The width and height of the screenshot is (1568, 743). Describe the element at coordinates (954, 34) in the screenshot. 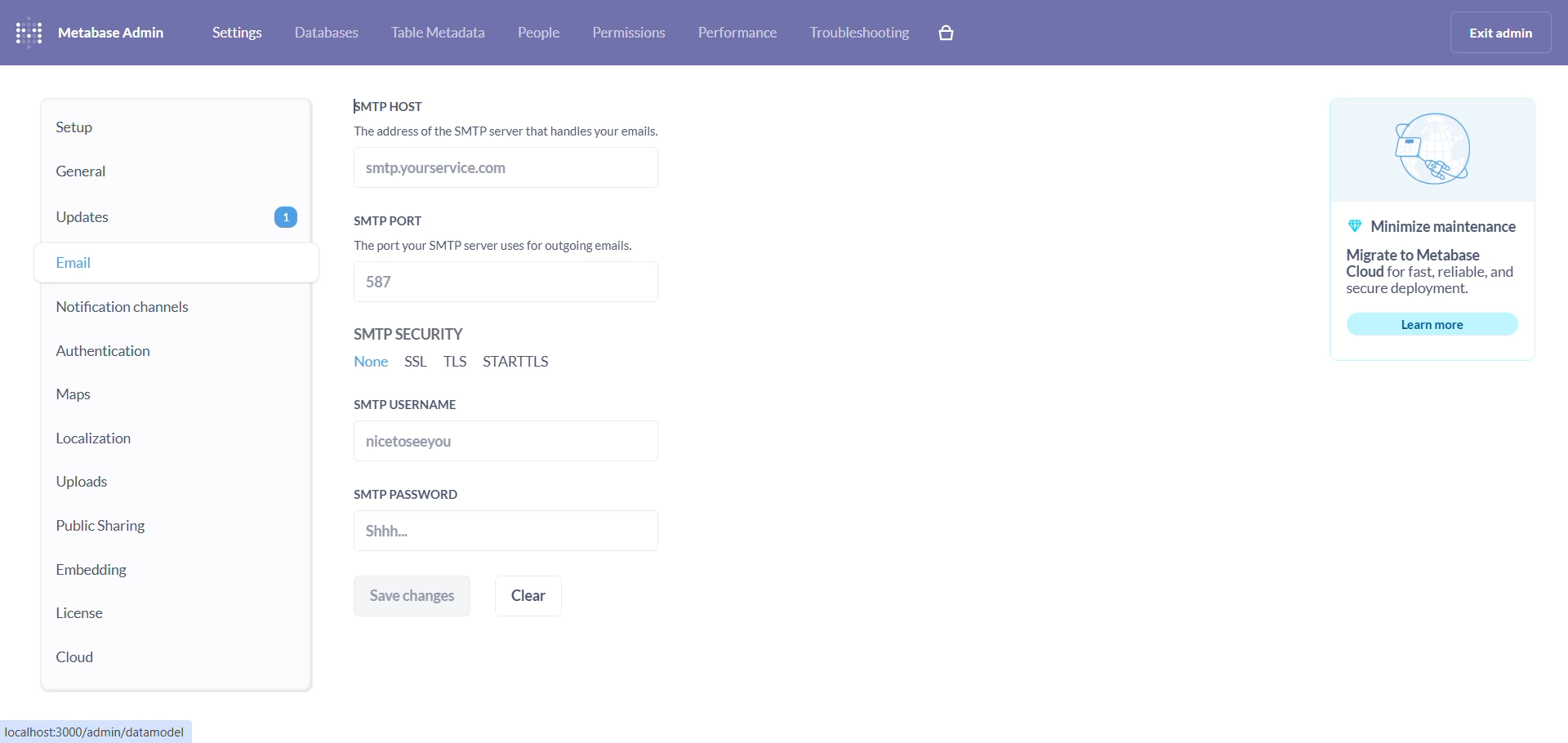

I see `cart` at that location.